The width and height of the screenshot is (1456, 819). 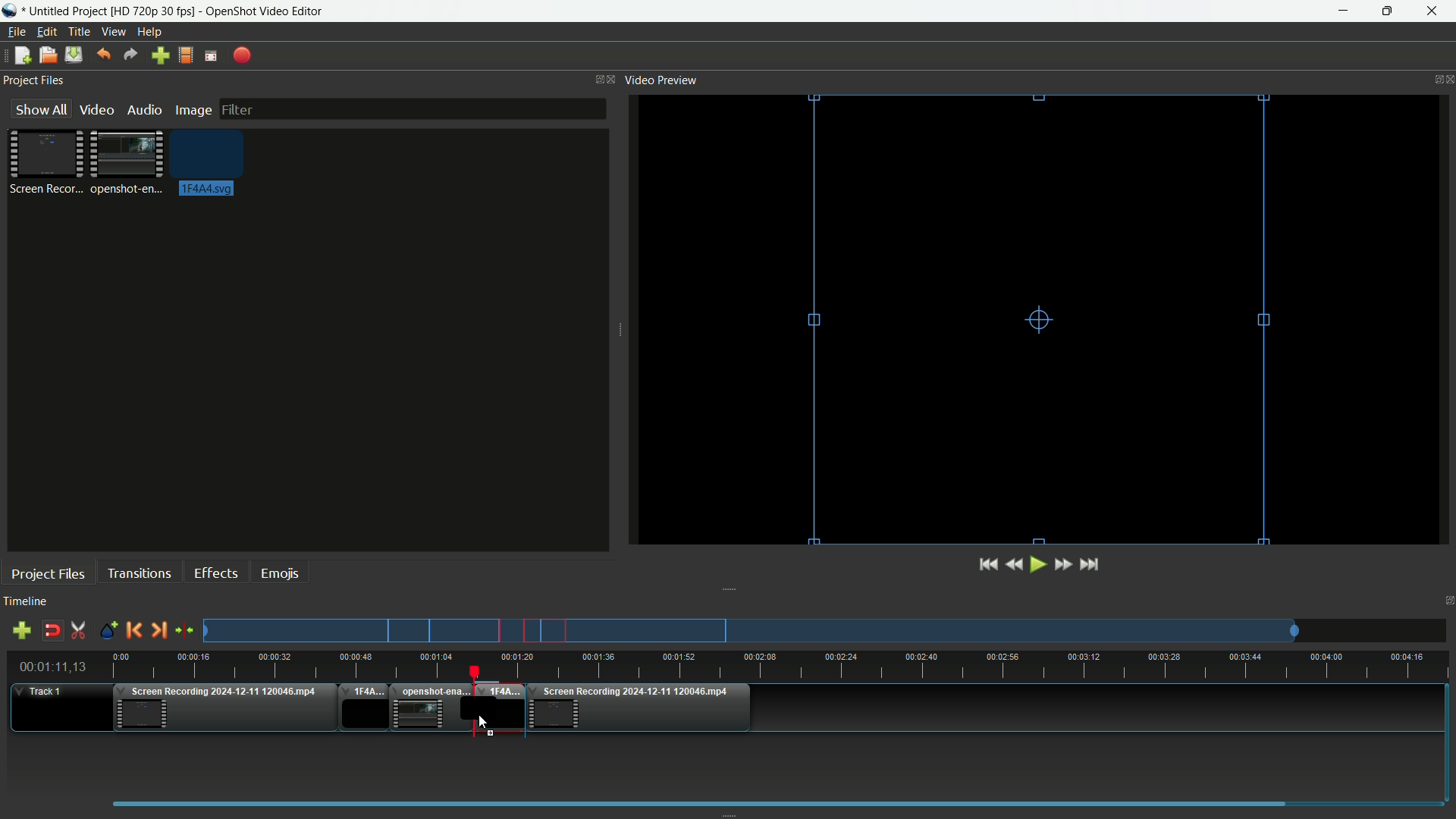 What do you see at coordinates (1062, 564) in the screenshot?
I see `Quick play forward` at bounding box center [1062, 564].